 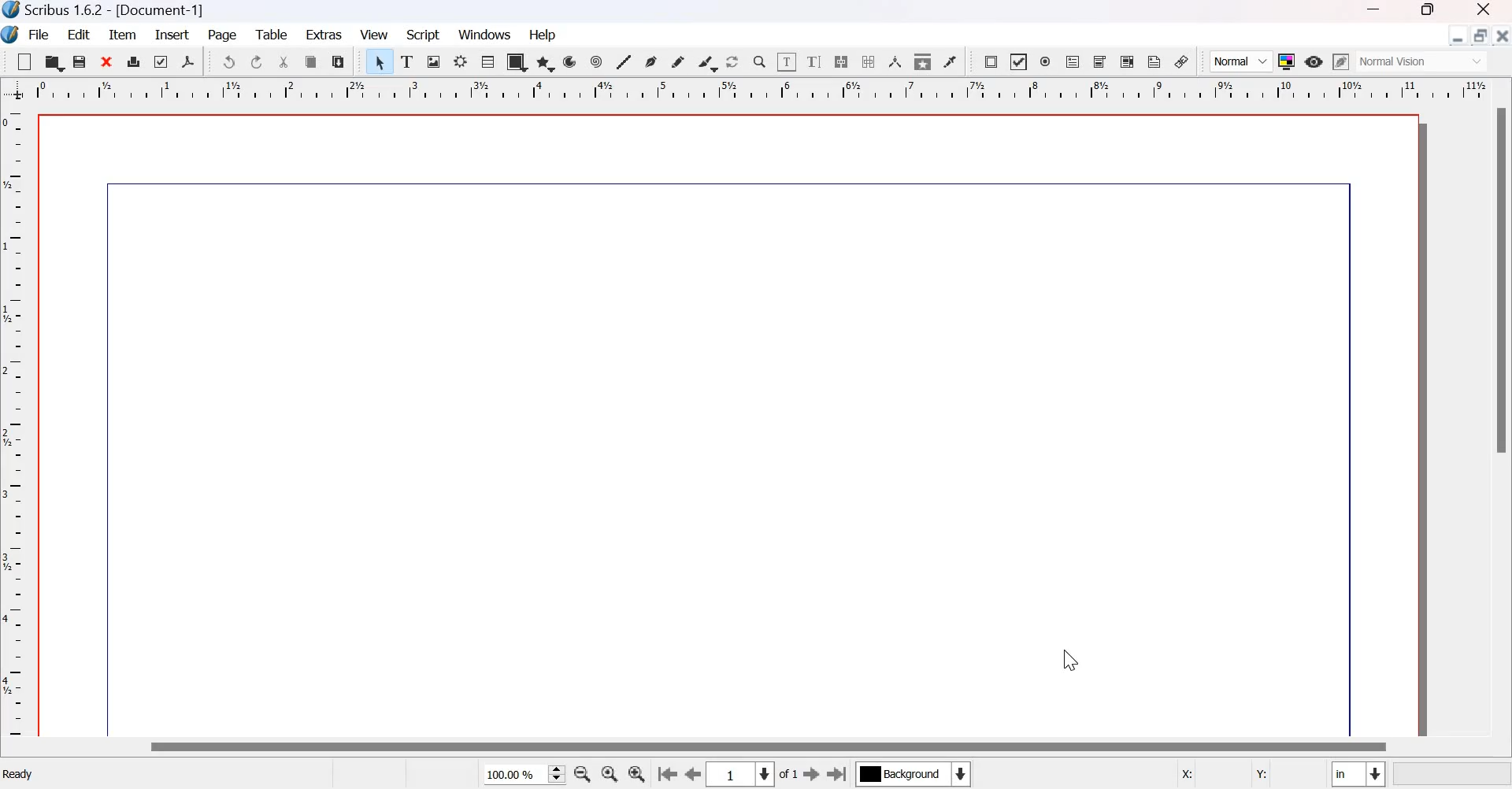 What do you see at coordinates (1099, 62) in the screenshot?
I see `PDF combo box` at bounding box center [1099, 62].